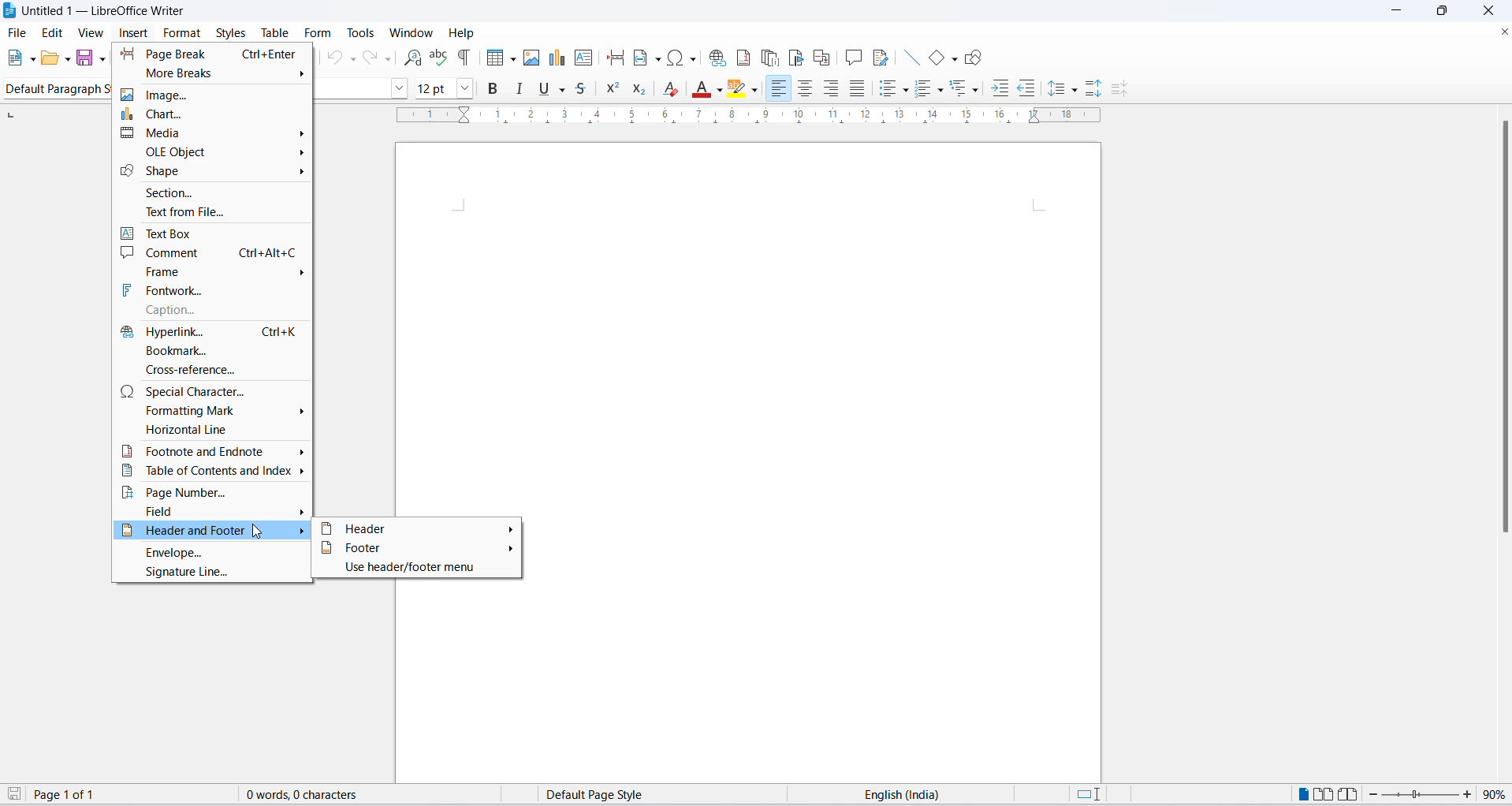  I want to click on underline, so click(543, 91).